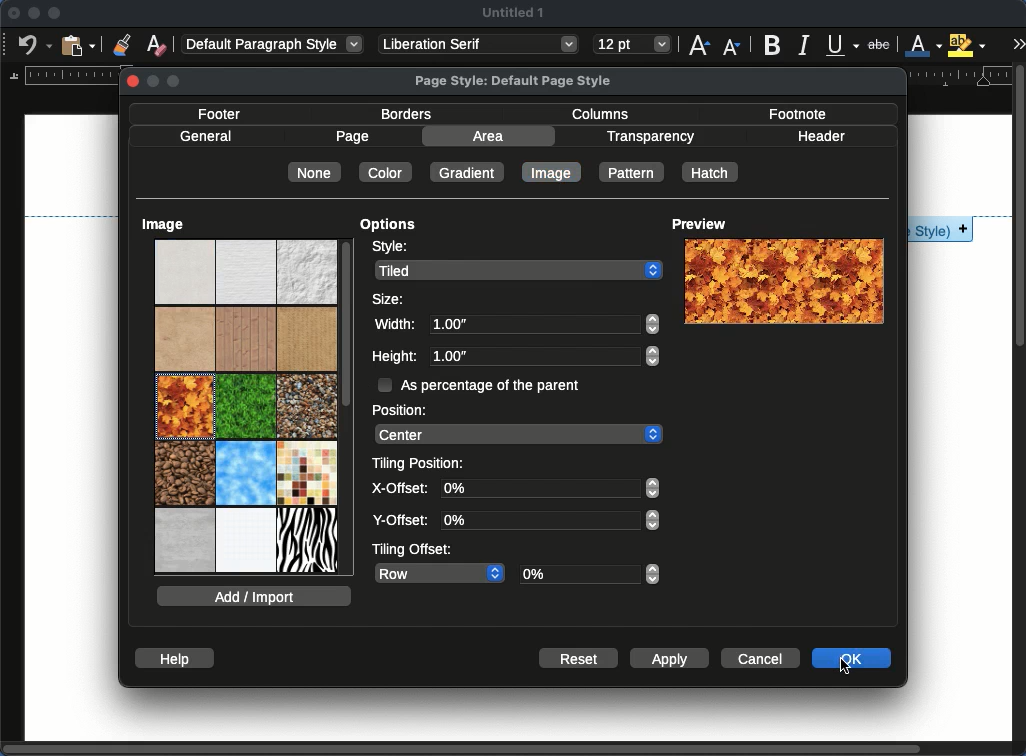 This screenshot has width=1026, height=756. I want to click on image, so click(165, 226).